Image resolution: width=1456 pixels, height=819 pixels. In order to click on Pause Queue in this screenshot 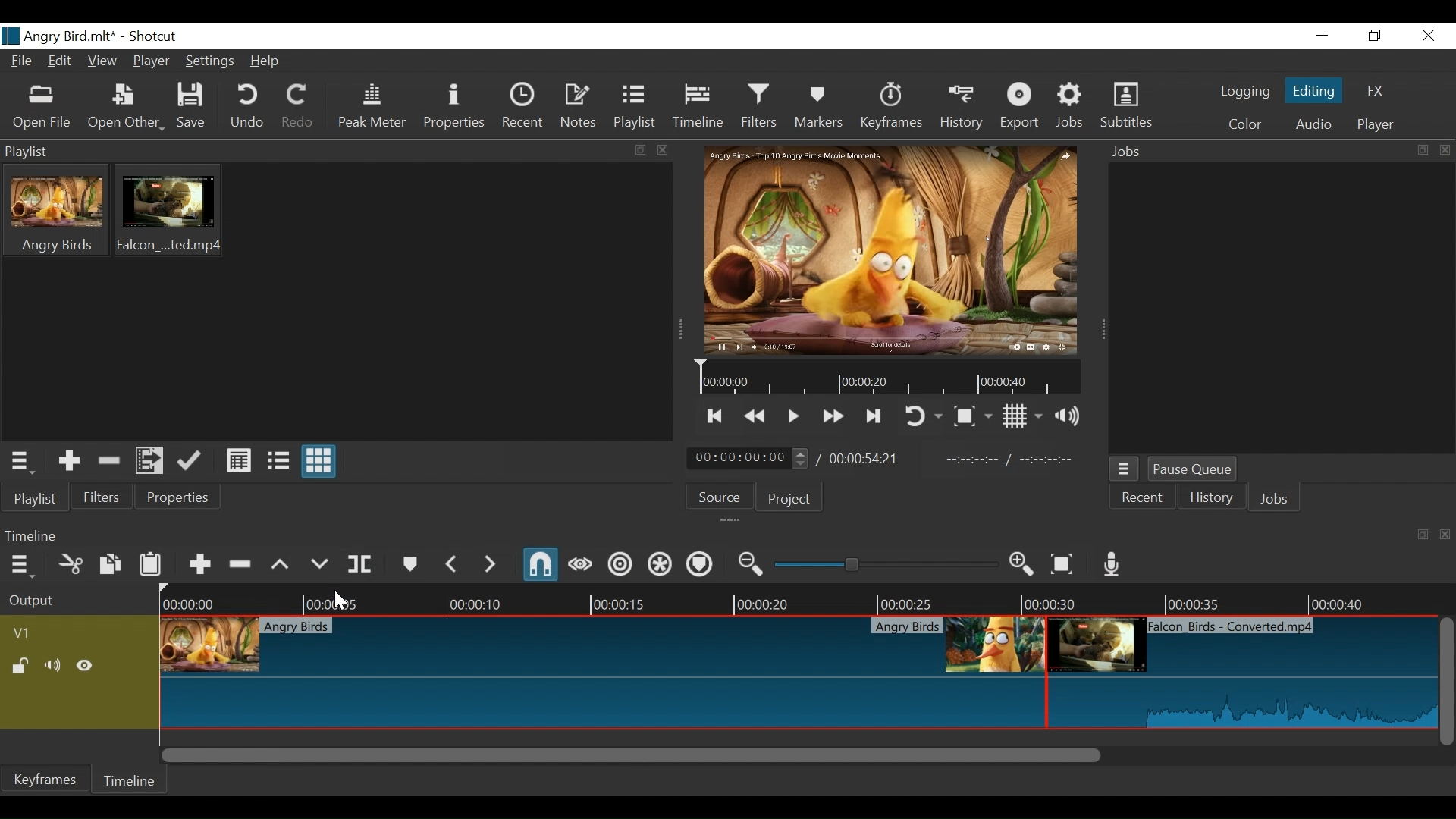, I will do `click(1196, 470)`.